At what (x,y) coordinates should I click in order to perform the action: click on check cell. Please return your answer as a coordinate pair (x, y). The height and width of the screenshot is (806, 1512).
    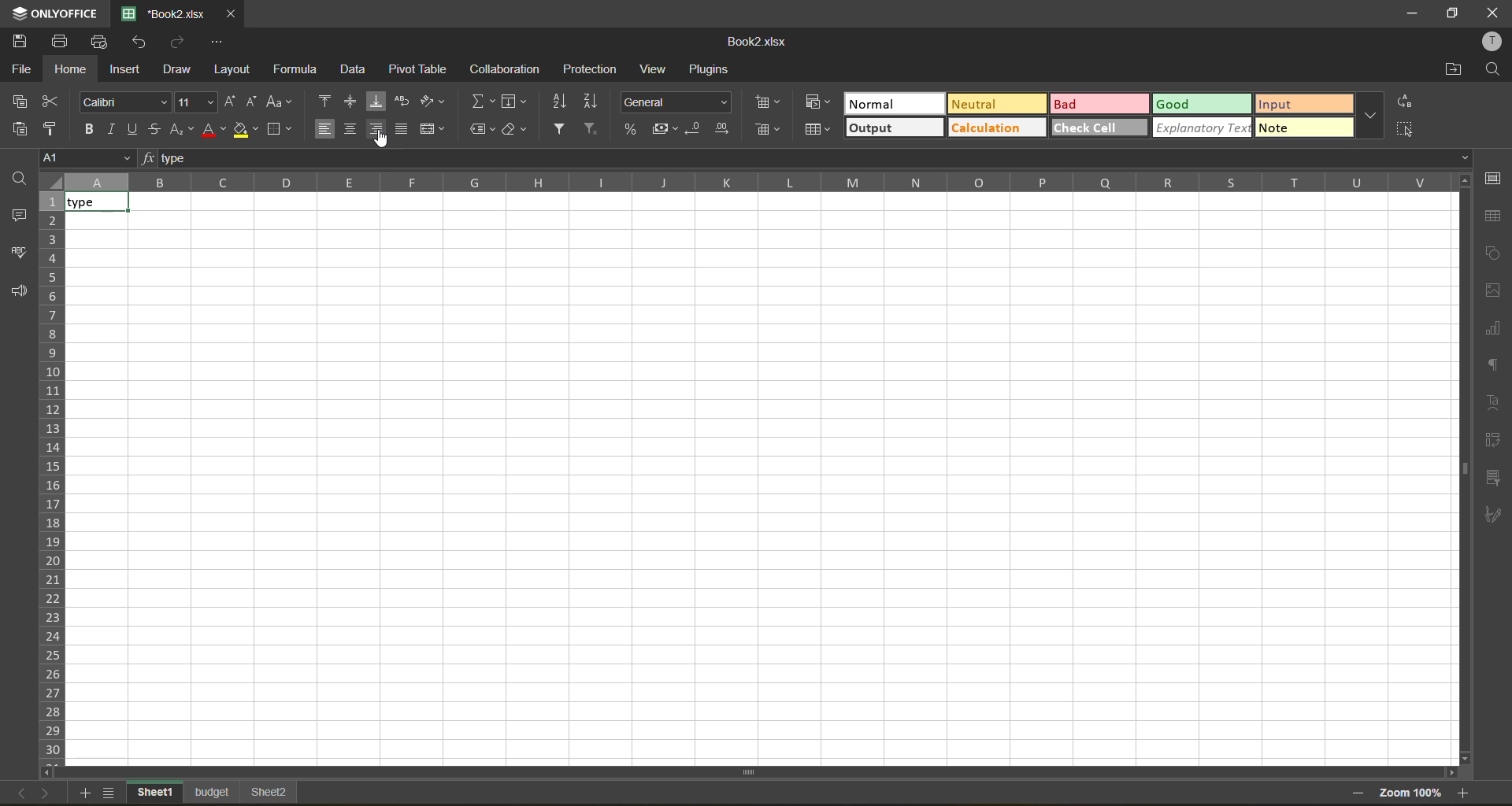
    Looking at the image, I should click on (1101, 128).